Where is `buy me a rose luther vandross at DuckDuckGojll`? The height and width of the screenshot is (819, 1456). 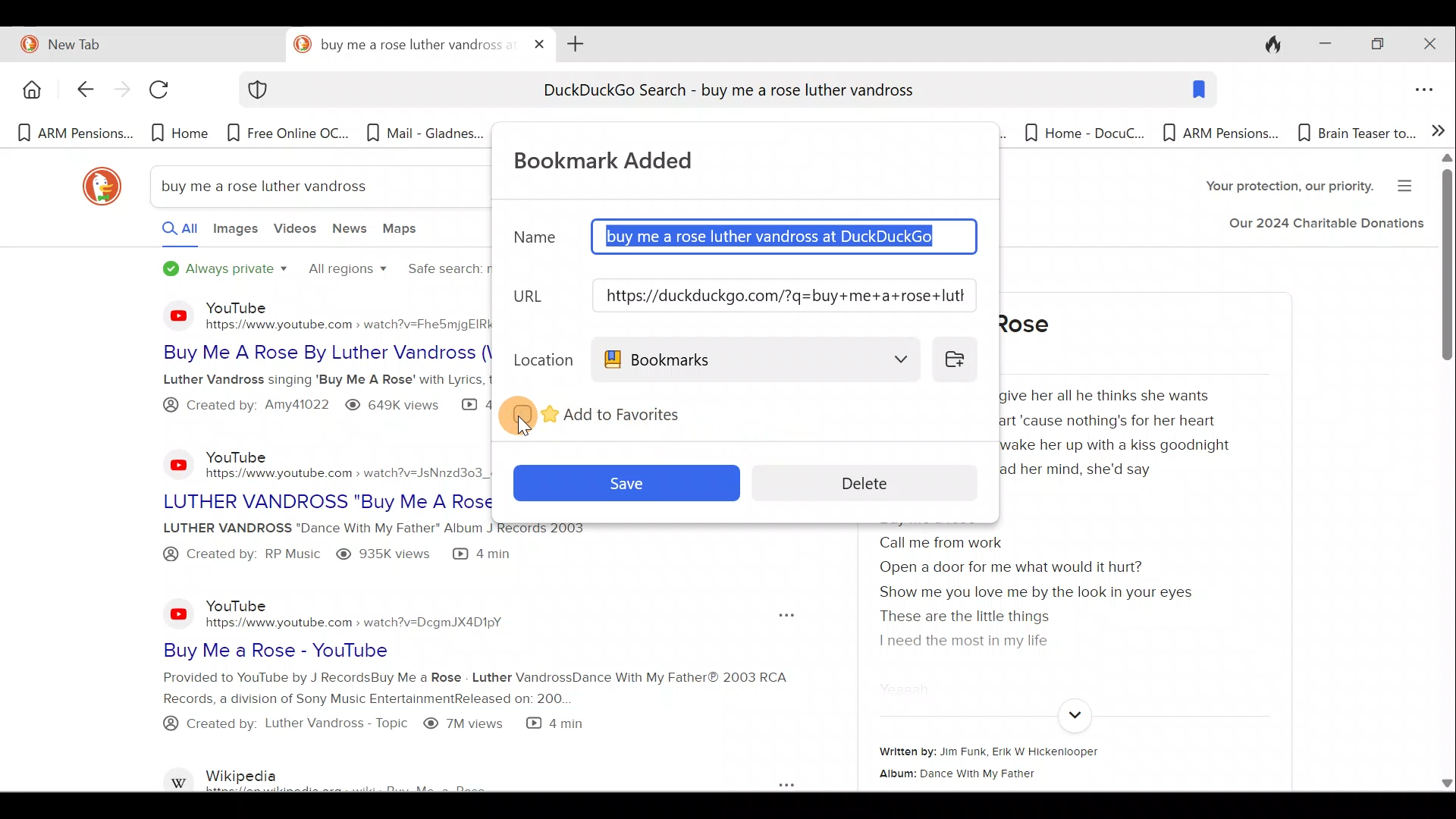 buy me a rose luther vandross at DuckDuckGojll is located at coordinates (786, 237).